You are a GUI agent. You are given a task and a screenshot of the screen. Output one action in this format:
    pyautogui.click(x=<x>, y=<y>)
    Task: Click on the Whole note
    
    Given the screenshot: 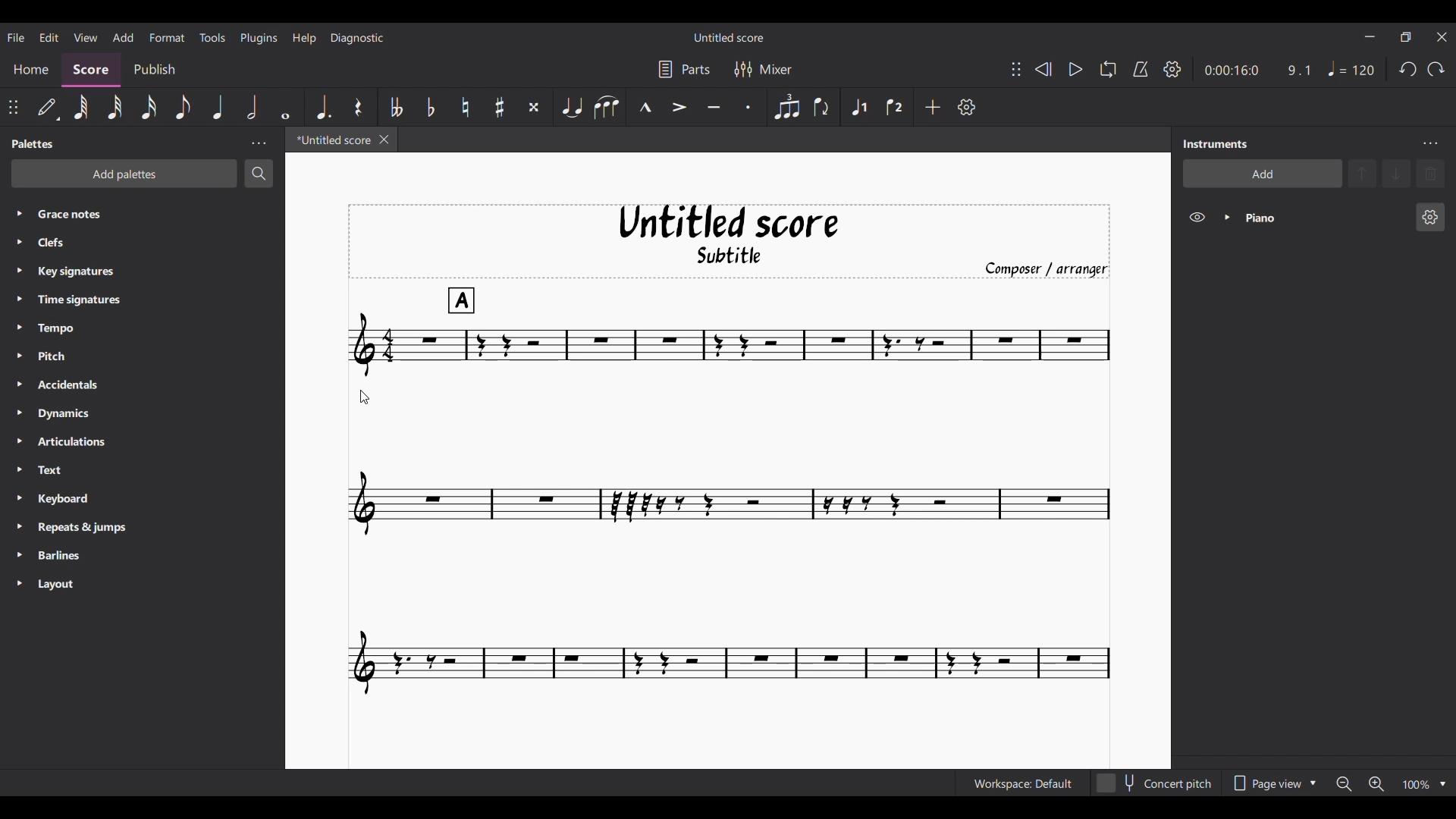 What is the action you would take?
    pyautogui.click(x=285, y=107)
    